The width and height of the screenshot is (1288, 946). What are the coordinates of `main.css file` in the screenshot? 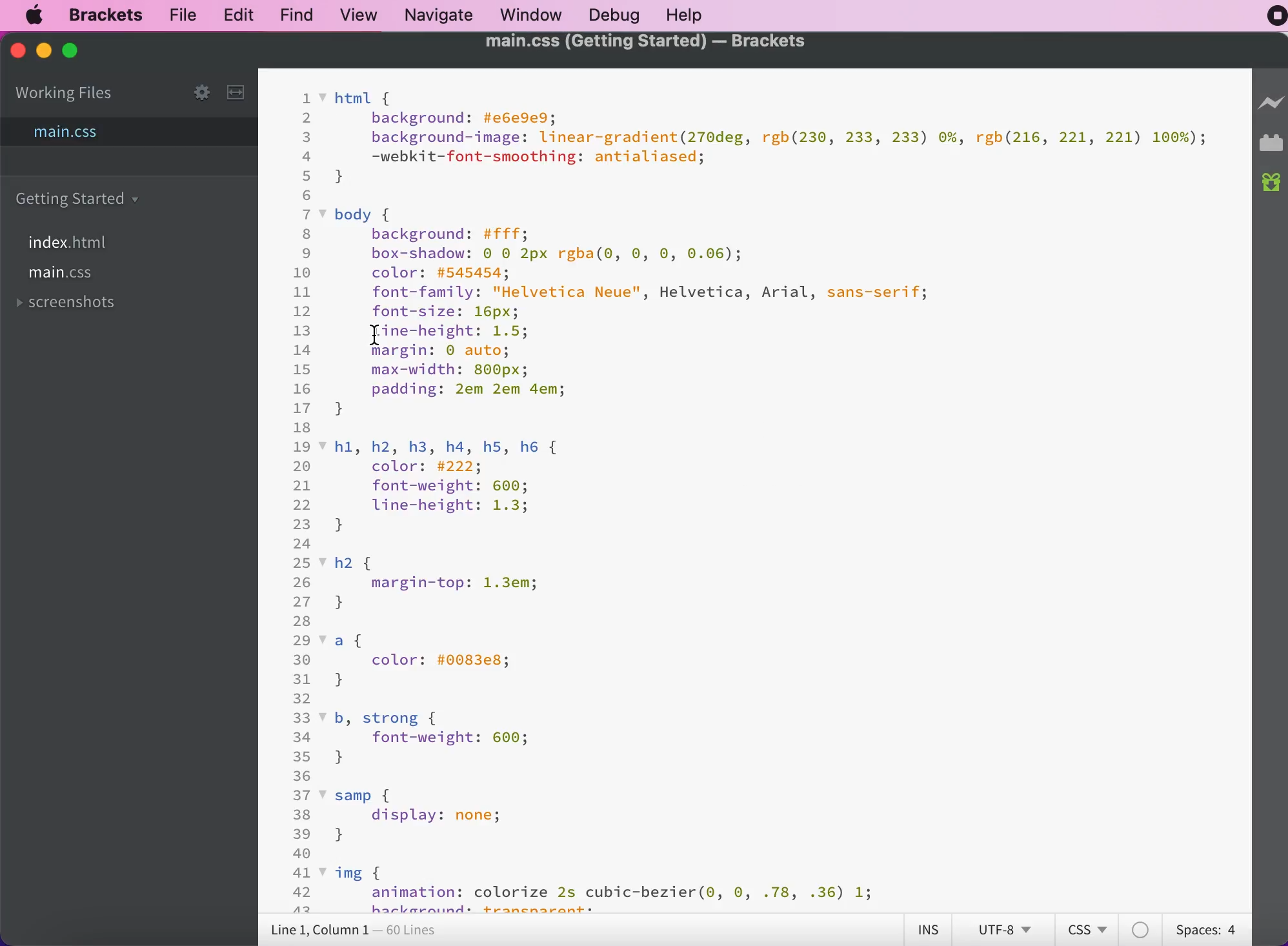 It's located at (126, 132).